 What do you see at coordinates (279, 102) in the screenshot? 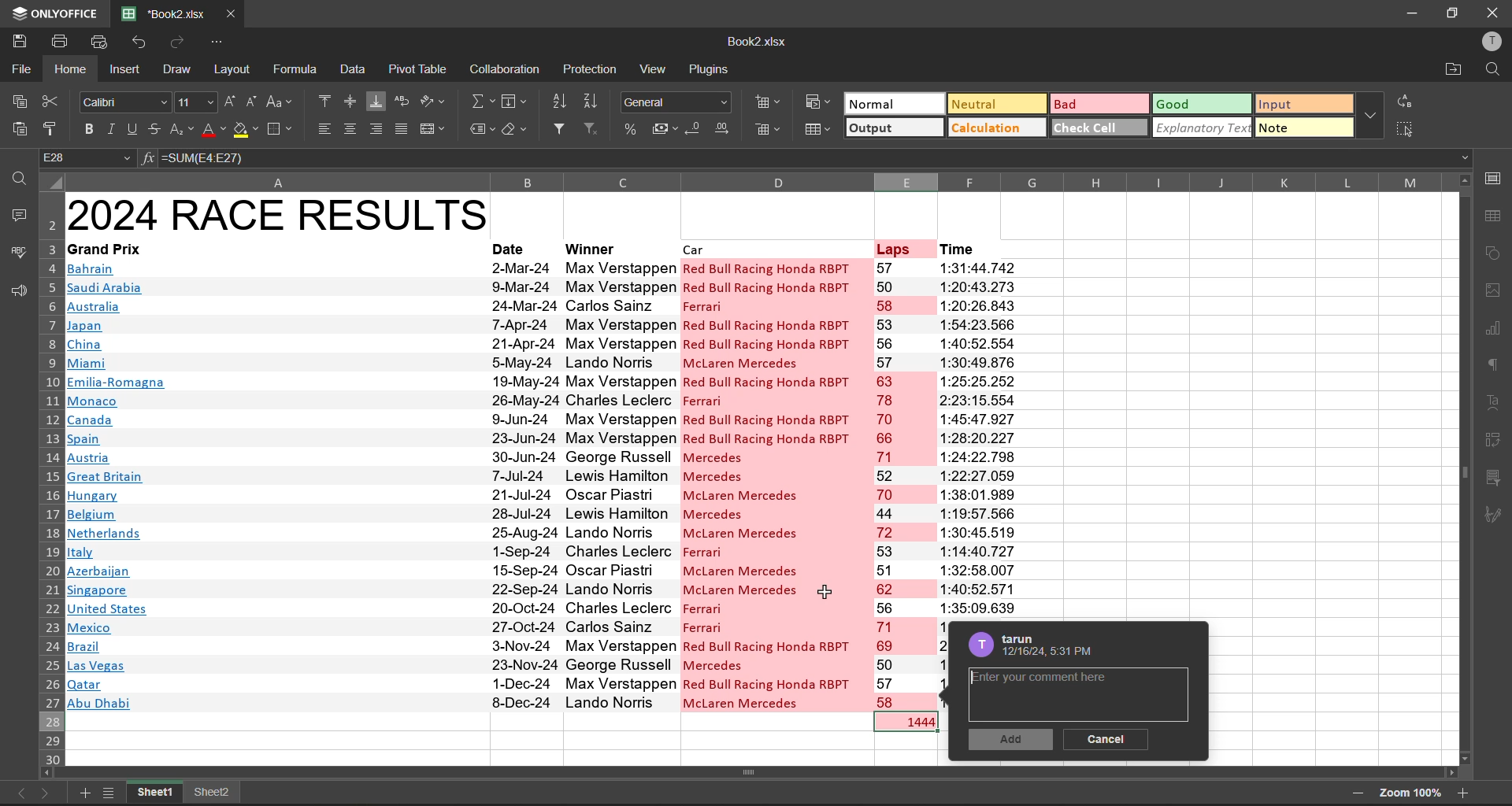
I see `change case` at bounding box center [279, 102].